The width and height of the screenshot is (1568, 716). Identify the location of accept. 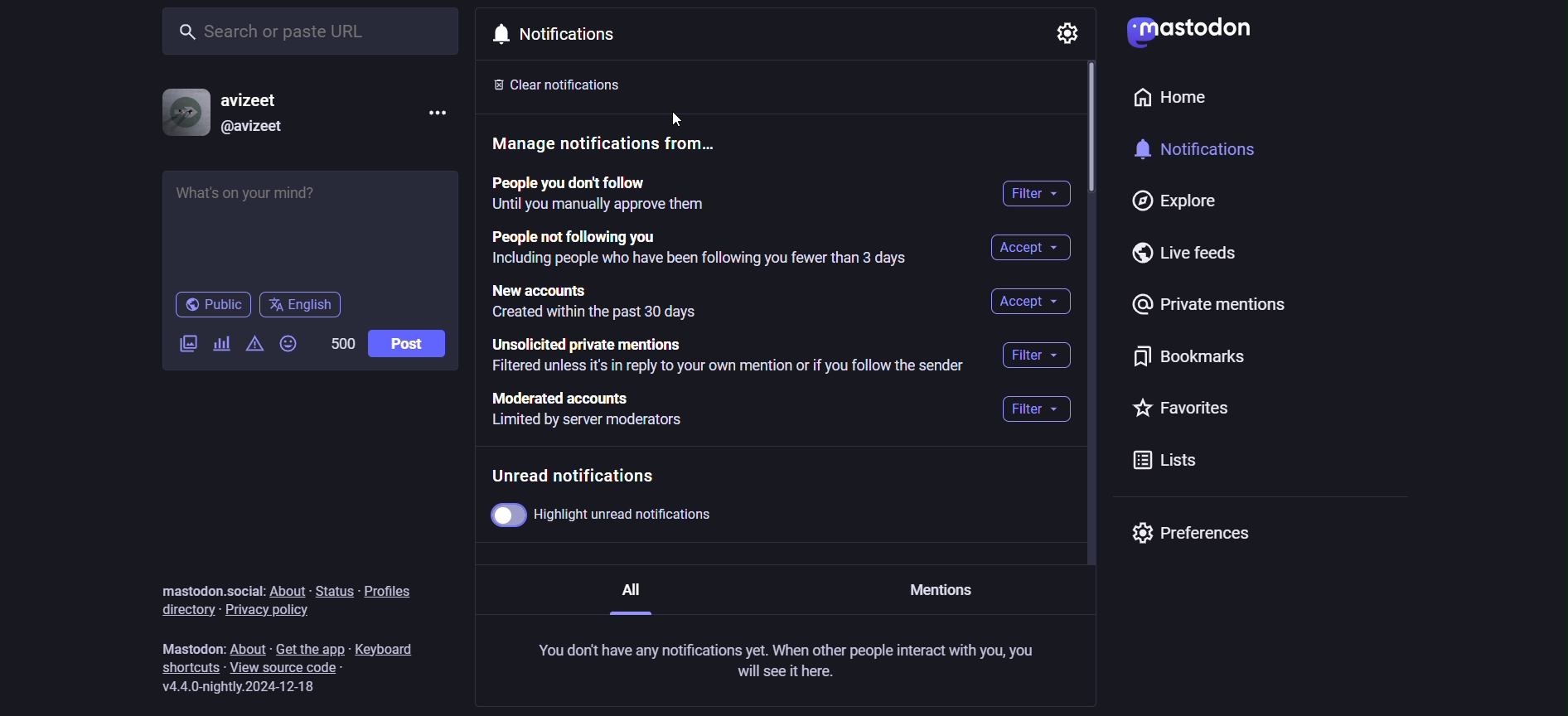
(1029, 302).